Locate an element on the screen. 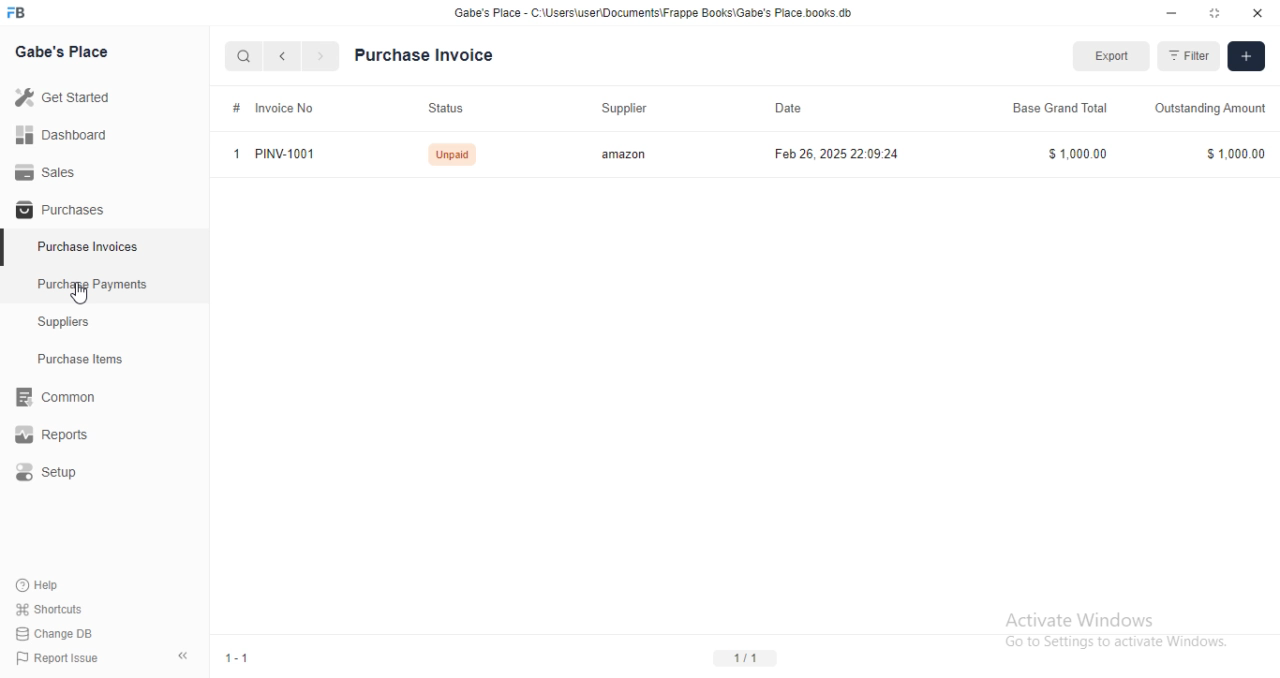   is located at coordinates (234, 108).